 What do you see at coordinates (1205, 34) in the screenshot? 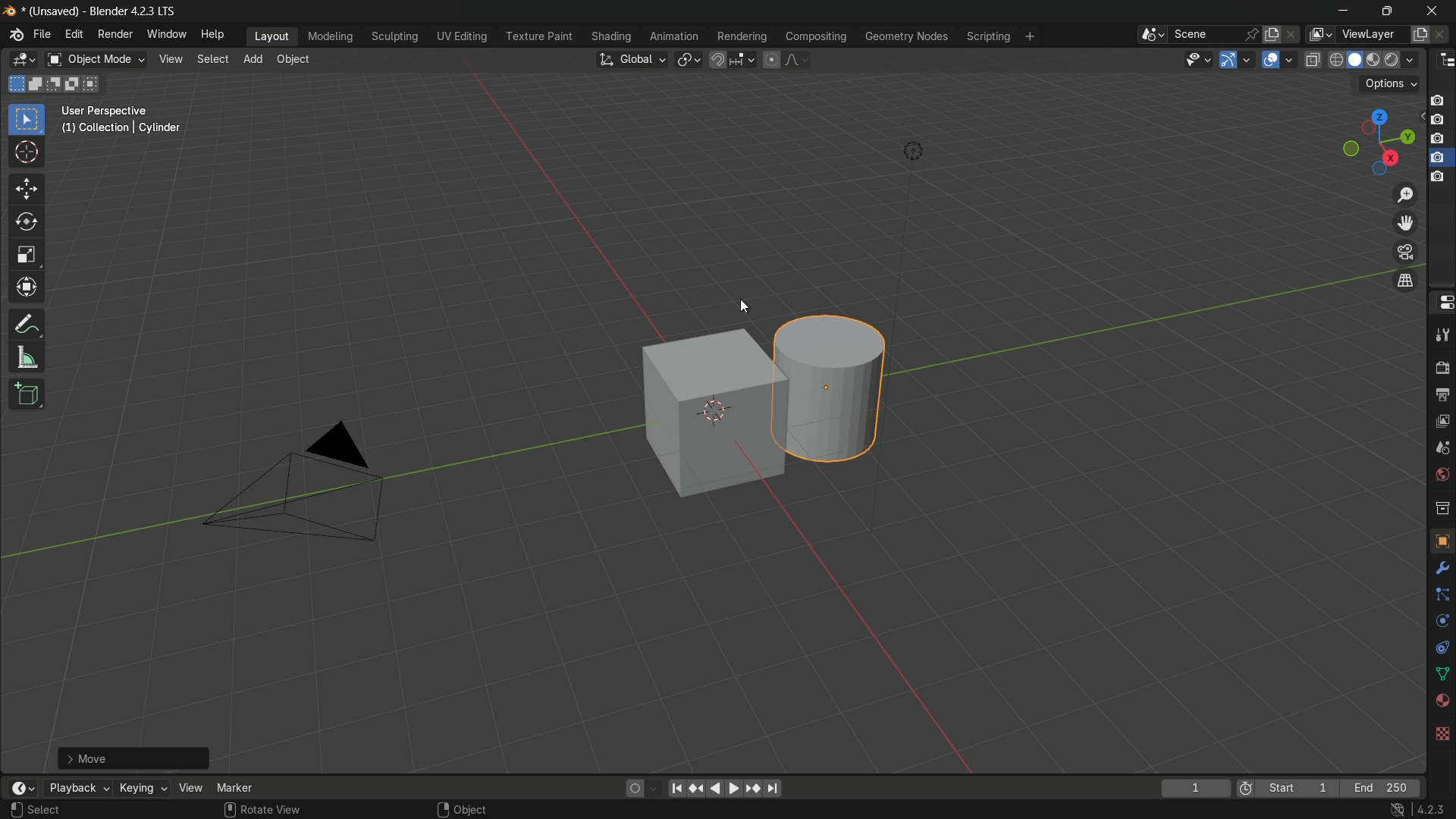
I see `scene name` at bounding box center [1205, 34].